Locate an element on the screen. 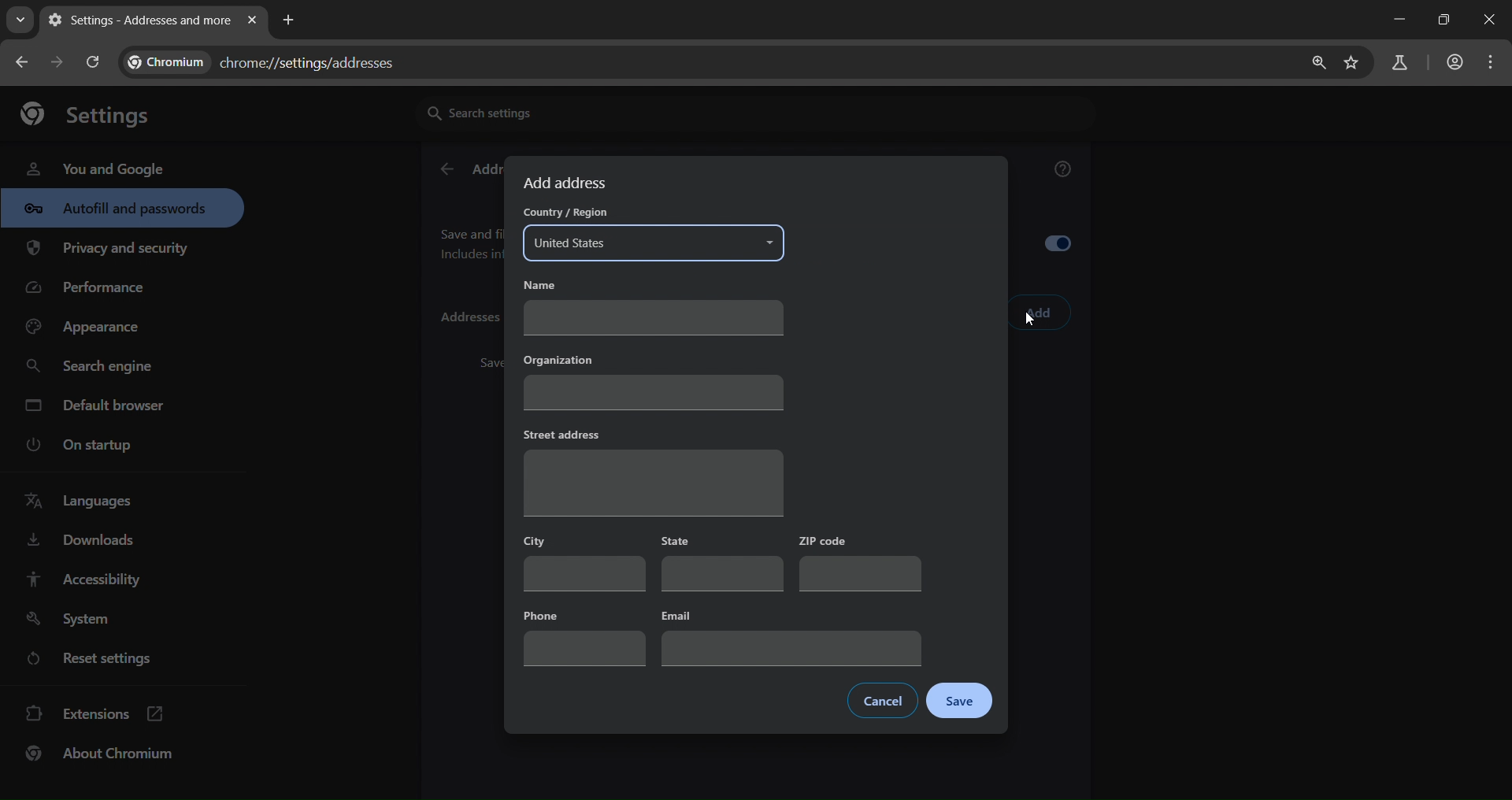  back is located at coordinates (446, 170).